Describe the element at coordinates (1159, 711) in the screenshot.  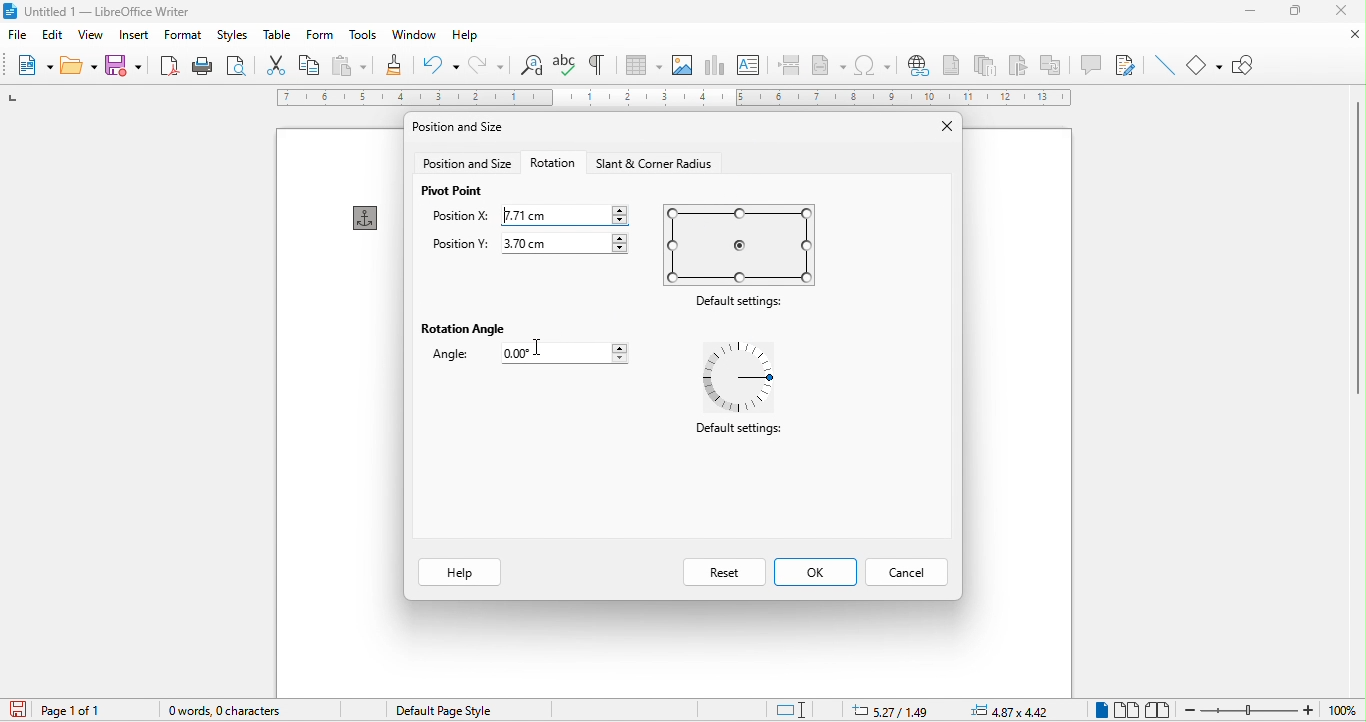
I see `book view` at that location.